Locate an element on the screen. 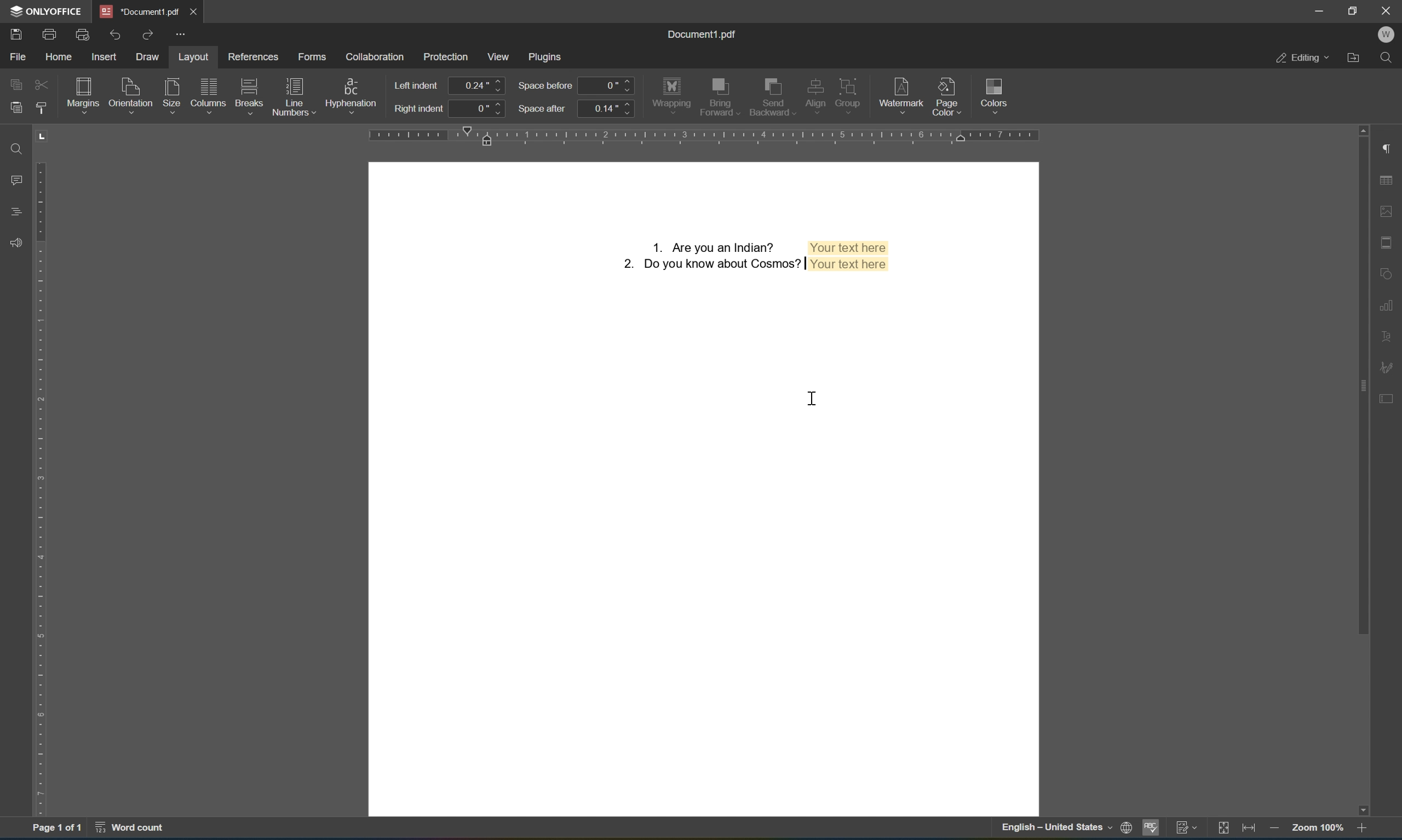  copy is located at coordinates (18, 84).